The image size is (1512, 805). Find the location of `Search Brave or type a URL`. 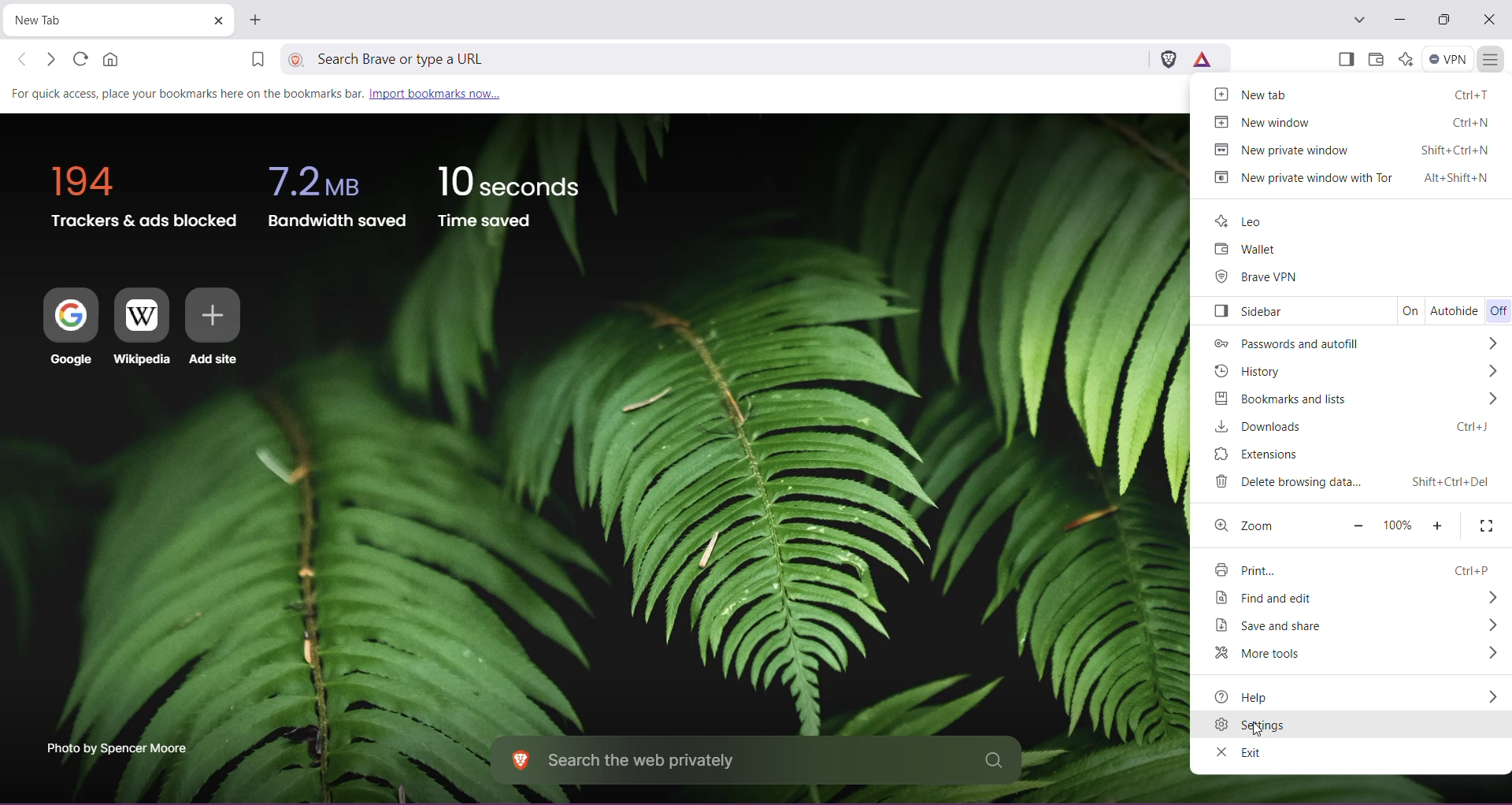

Search Brave or type a URL is located at coordinates (728, 57).